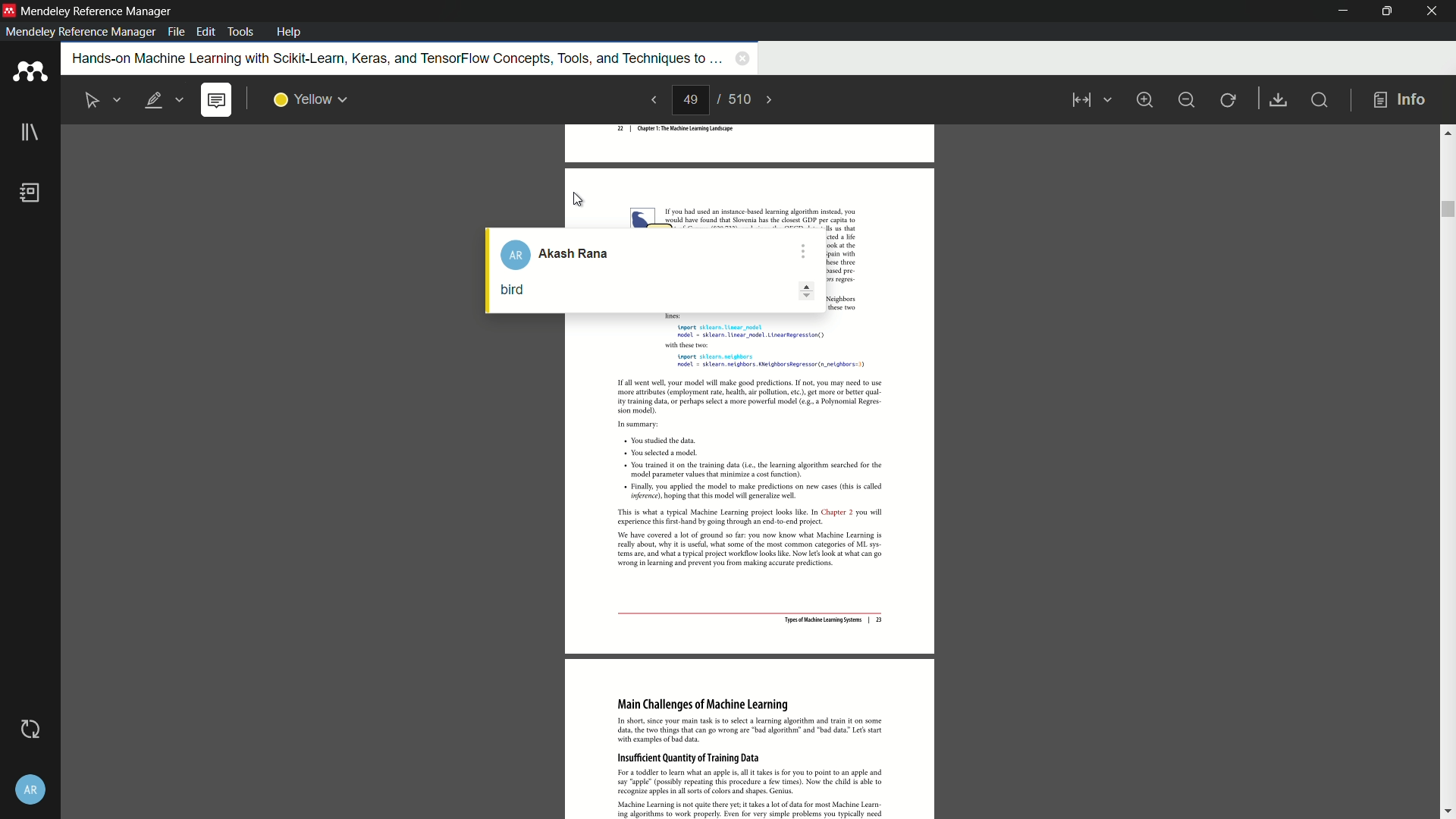 The image size is (1456, 819). Describe the element at coordinates (752, 569) in the screenshot. I see `book content` at that location.